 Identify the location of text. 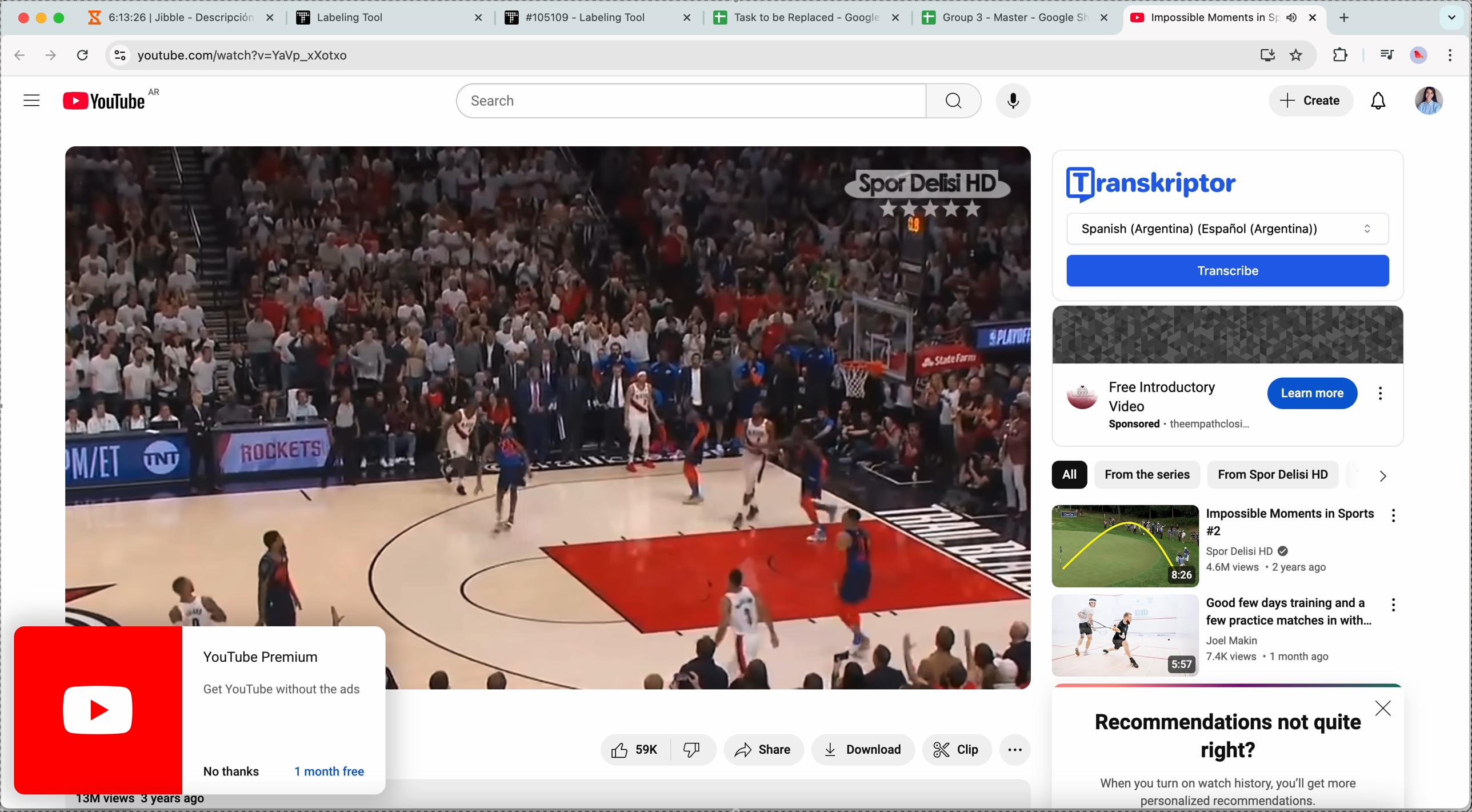
(143, 804).